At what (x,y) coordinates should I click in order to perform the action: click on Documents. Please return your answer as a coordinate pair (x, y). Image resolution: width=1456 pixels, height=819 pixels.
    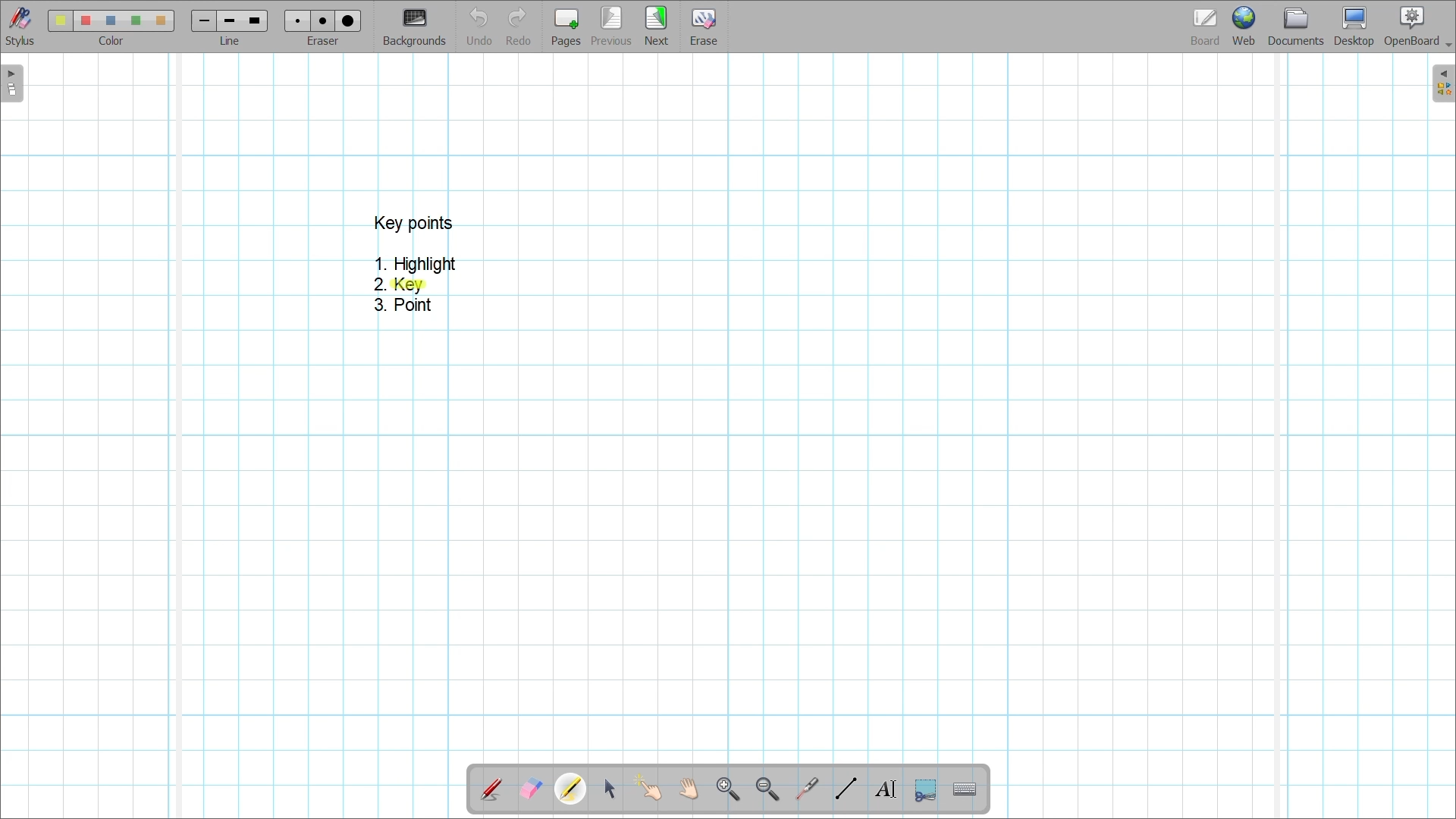
    Looking at the image, I should click on (1296, 27).